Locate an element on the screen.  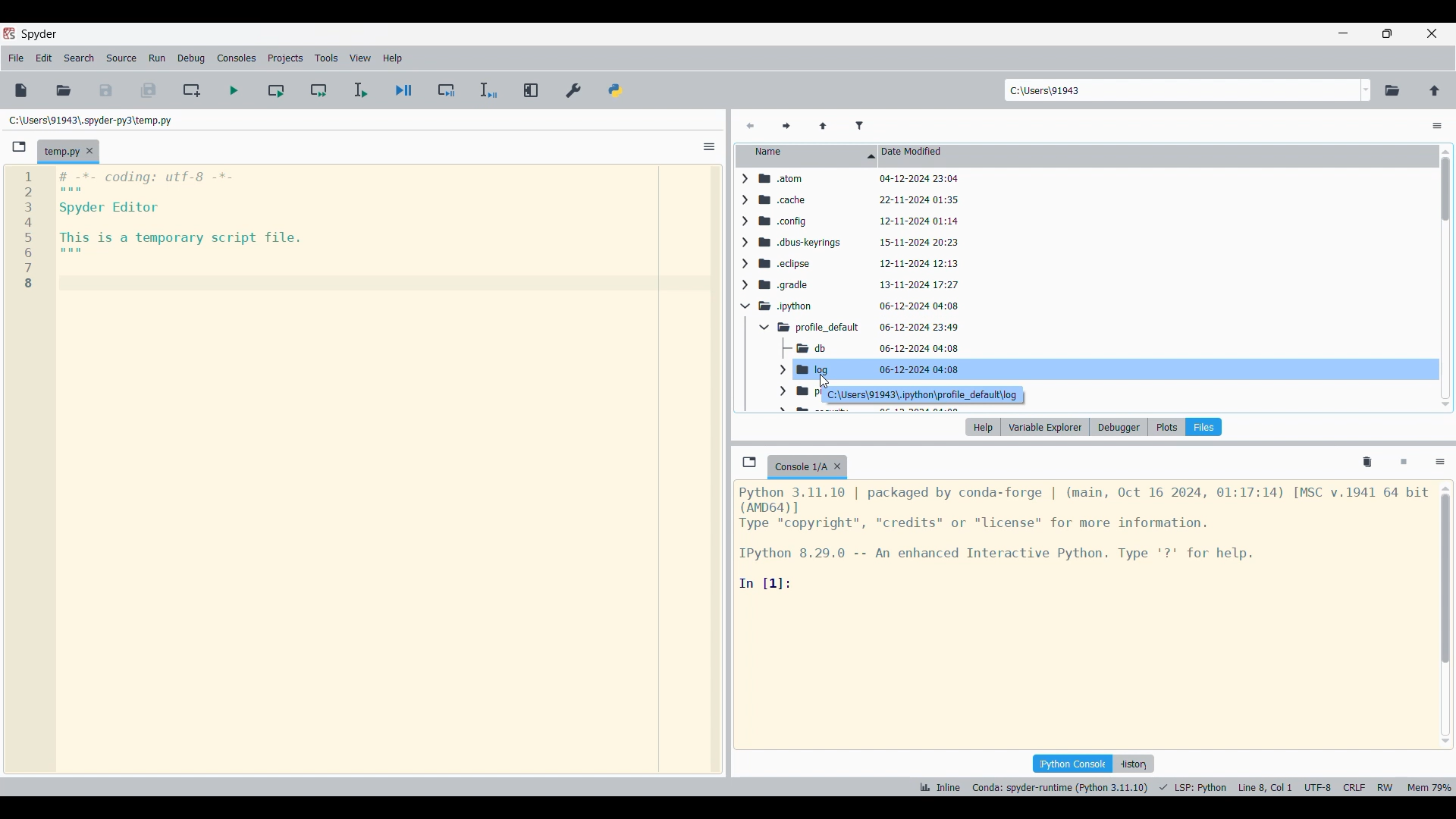
Options is located at coordinates (710, 146).